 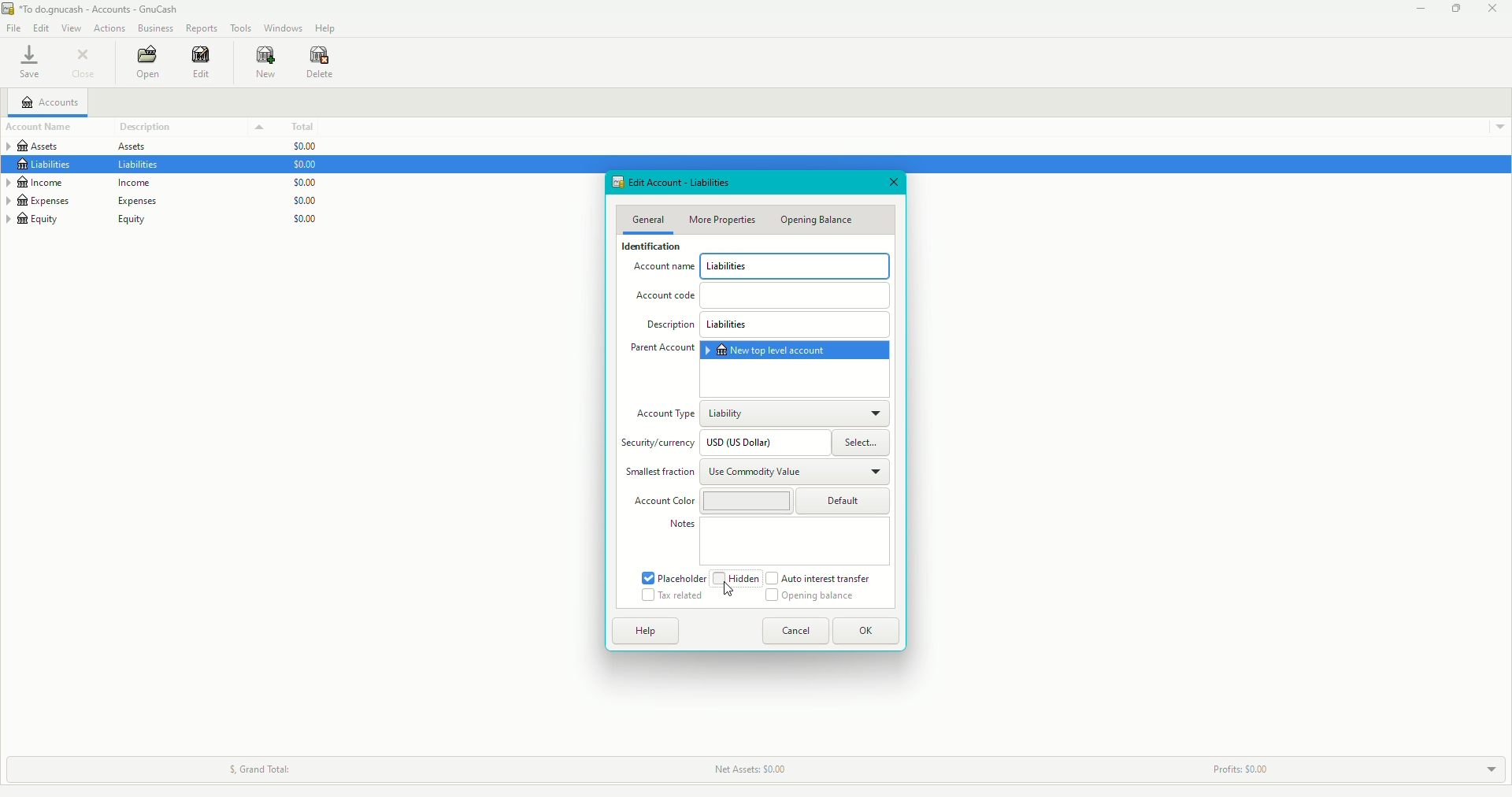 I want to click on Edit, so click(x=200, y=66).